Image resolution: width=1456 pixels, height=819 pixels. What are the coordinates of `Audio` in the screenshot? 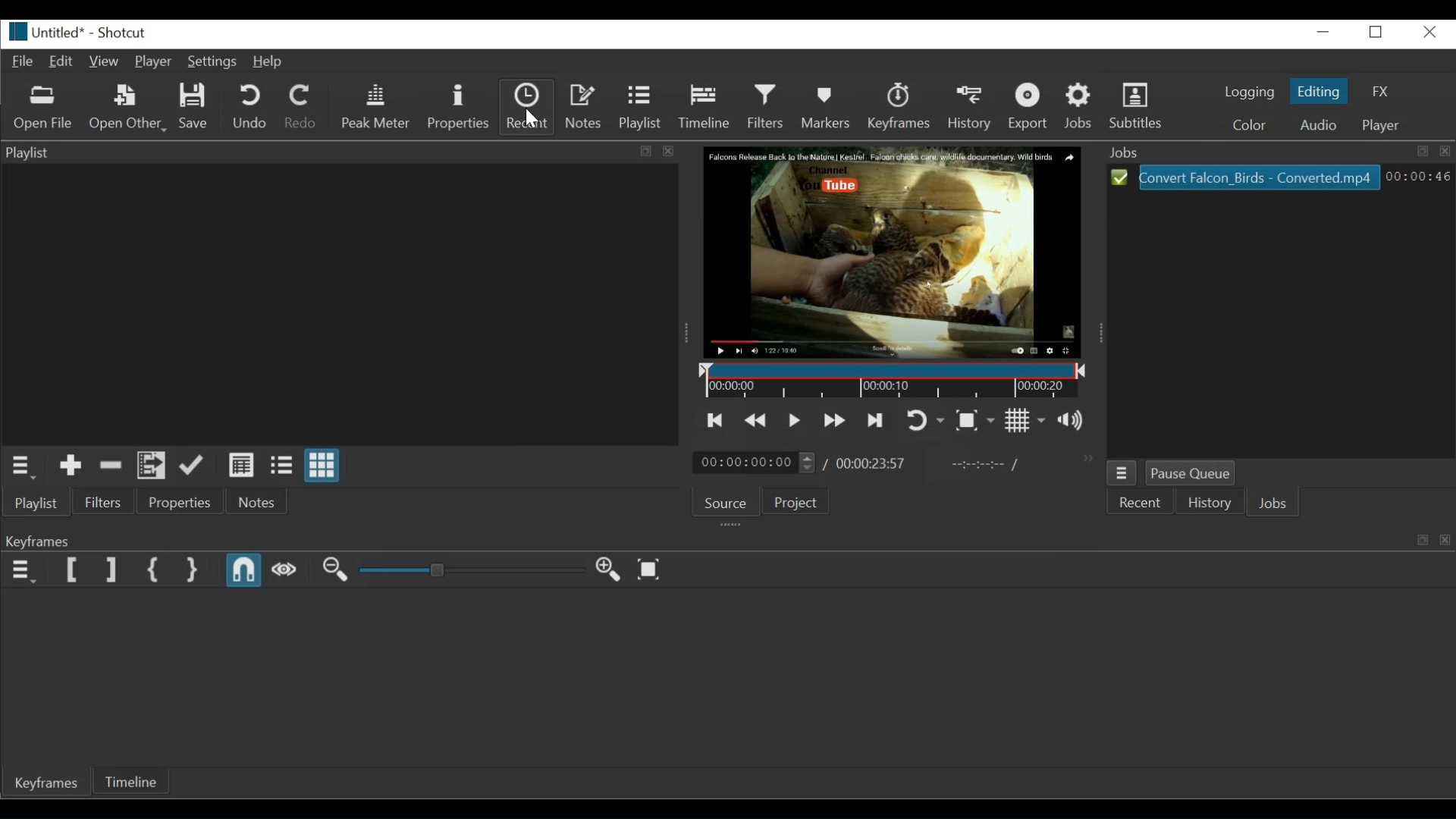 It's located at (1319, 126).